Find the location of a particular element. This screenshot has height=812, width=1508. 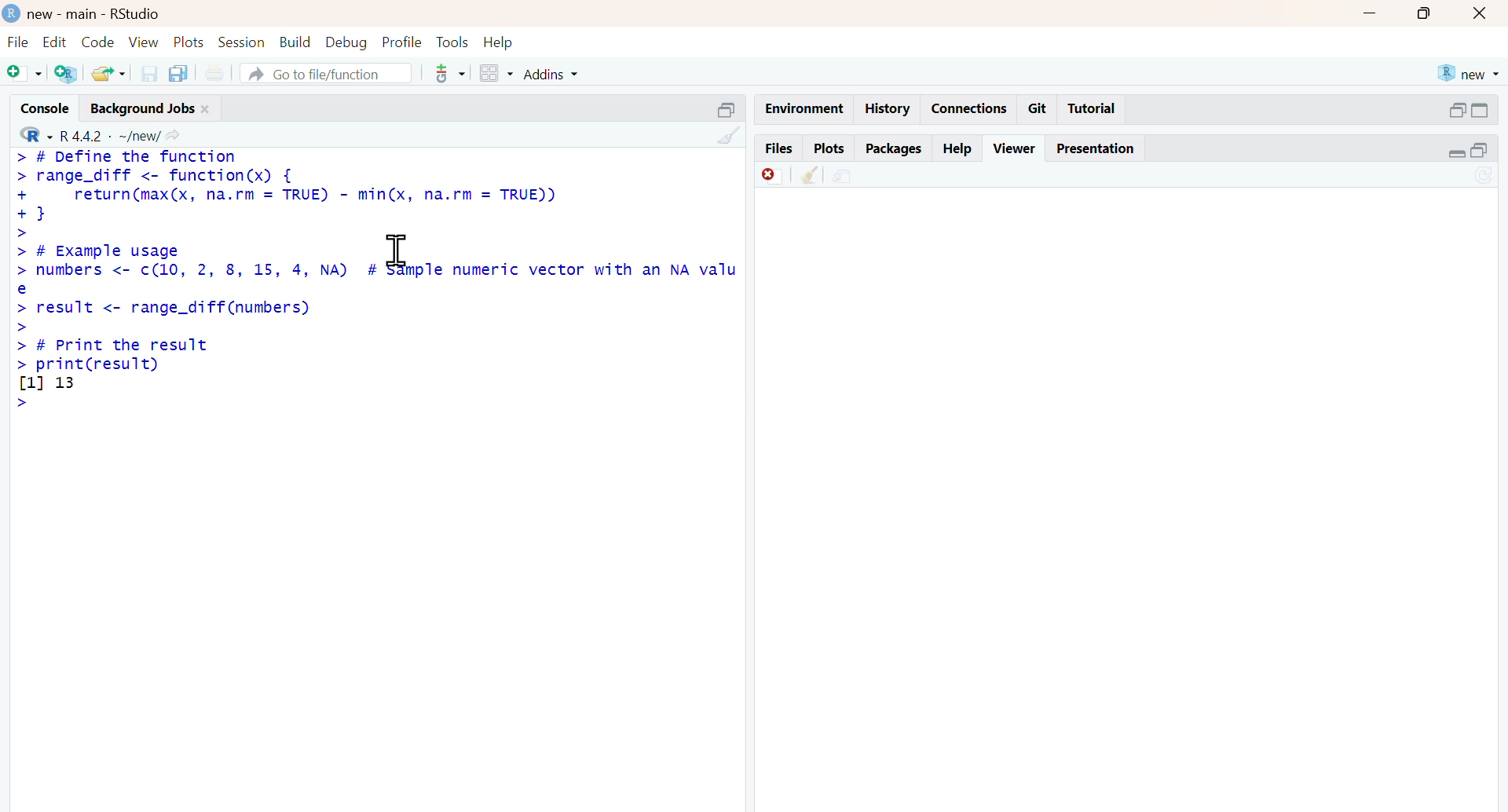

minimise is located at coordinates (1371, 13).